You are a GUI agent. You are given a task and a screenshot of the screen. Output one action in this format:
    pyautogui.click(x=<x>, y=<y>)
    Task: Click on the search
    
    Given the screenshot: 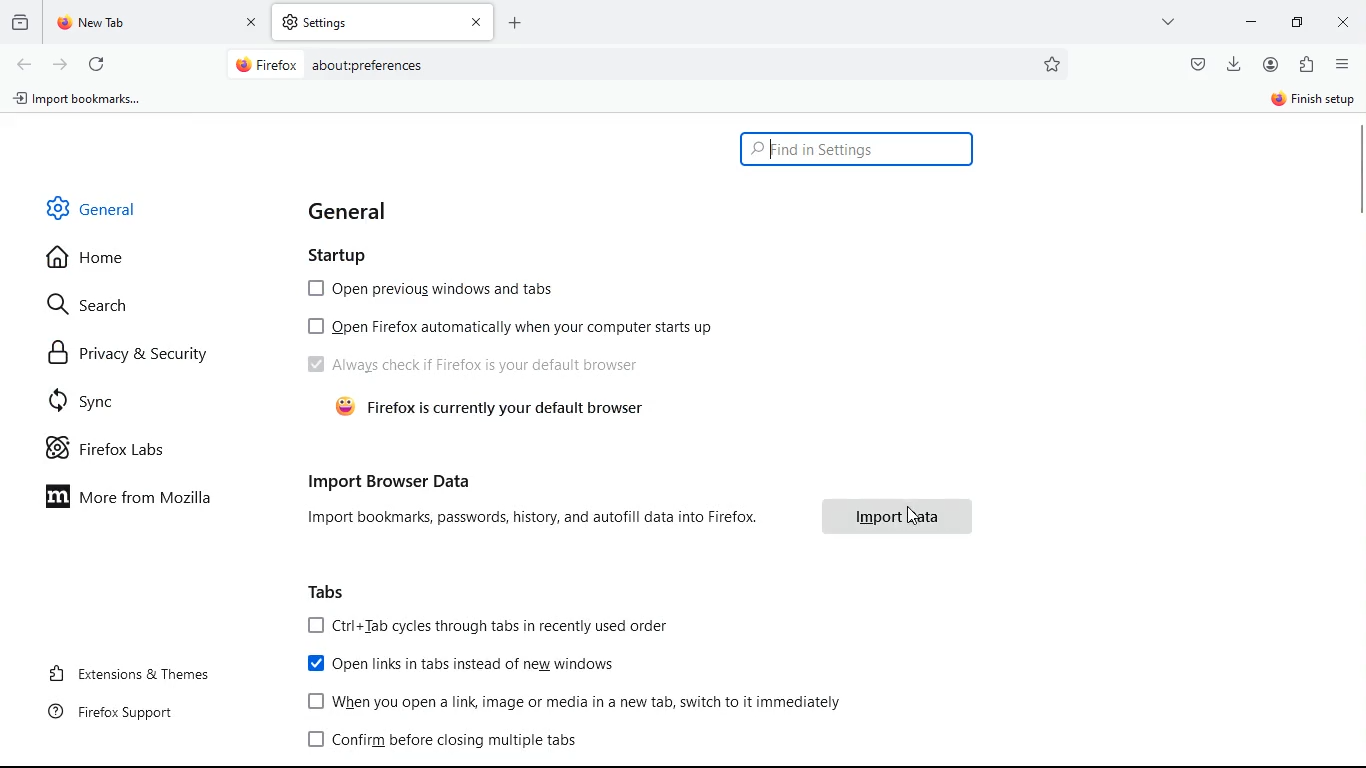 What is the action you would take?
    pyautogui.click(x=93, y=307)
    